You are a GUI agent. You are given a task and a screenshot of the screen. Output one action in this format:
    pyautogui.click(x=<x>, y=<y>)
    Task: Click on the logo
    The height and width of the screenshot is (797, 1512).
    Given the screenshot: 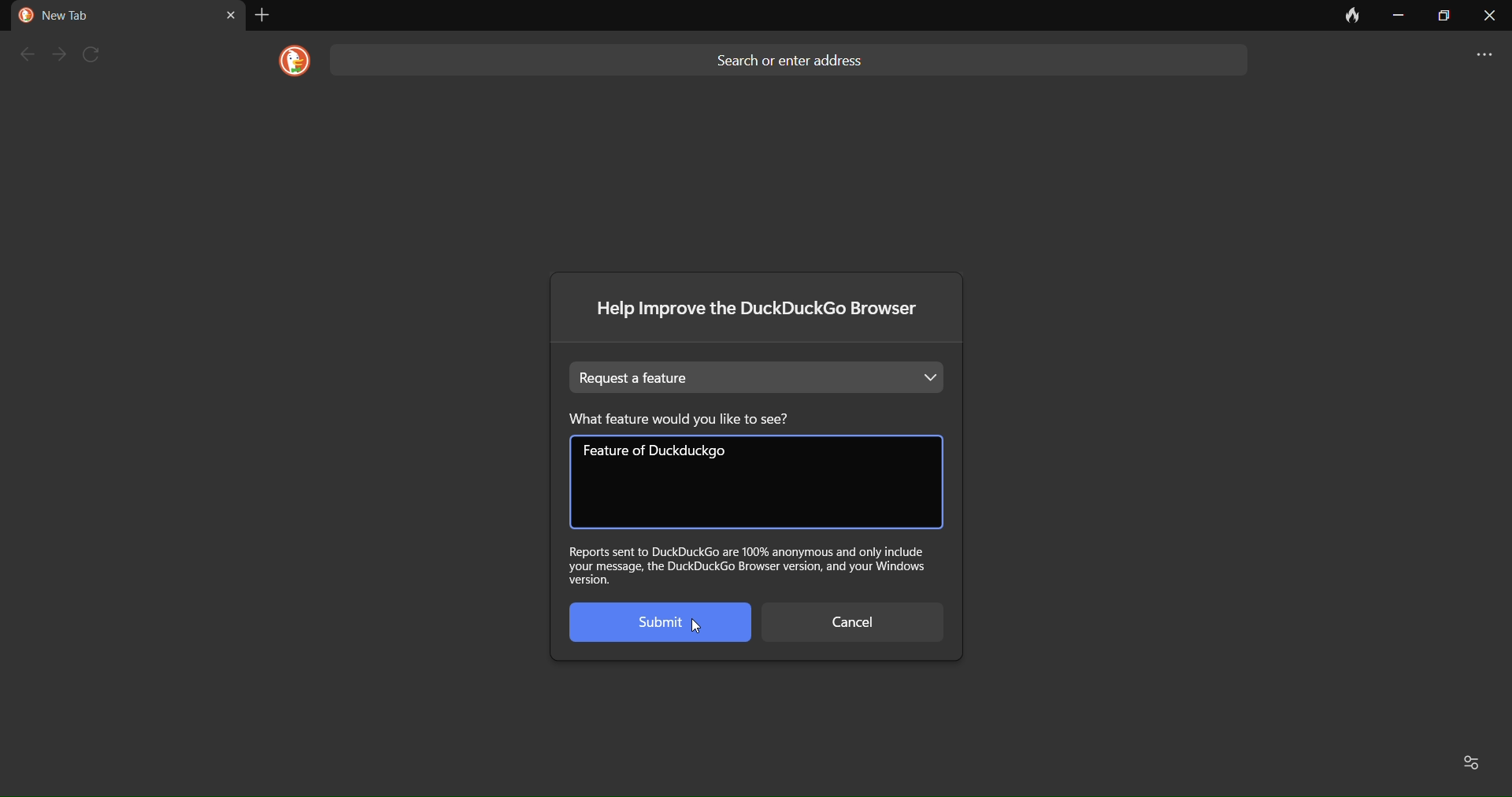 What is the action you would take?
    pyautogui.click(x=289, y=61)
    